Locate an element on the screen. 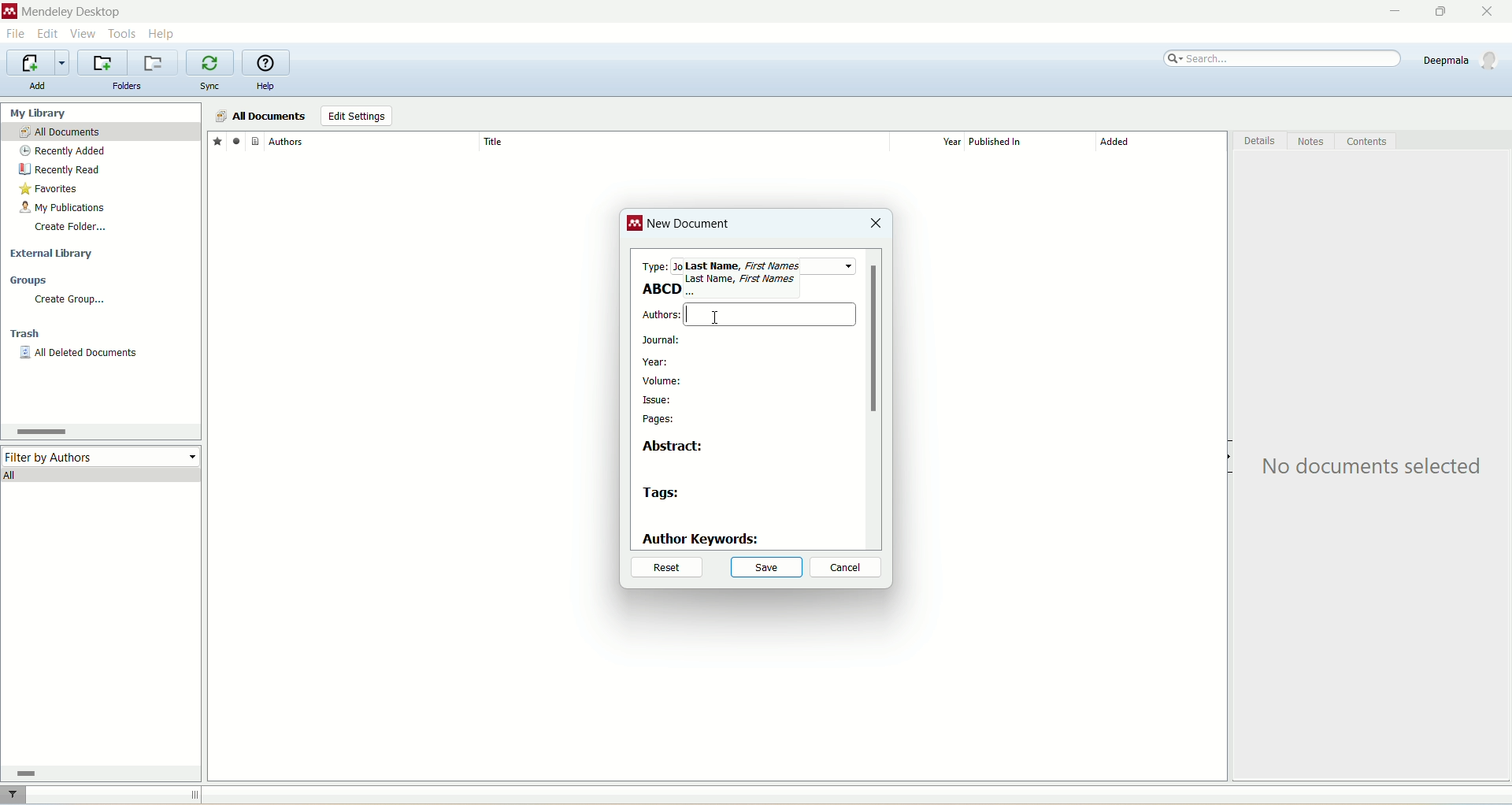 This screenshot has height=805, width=1512. volume is located at coordinates (667, 380).